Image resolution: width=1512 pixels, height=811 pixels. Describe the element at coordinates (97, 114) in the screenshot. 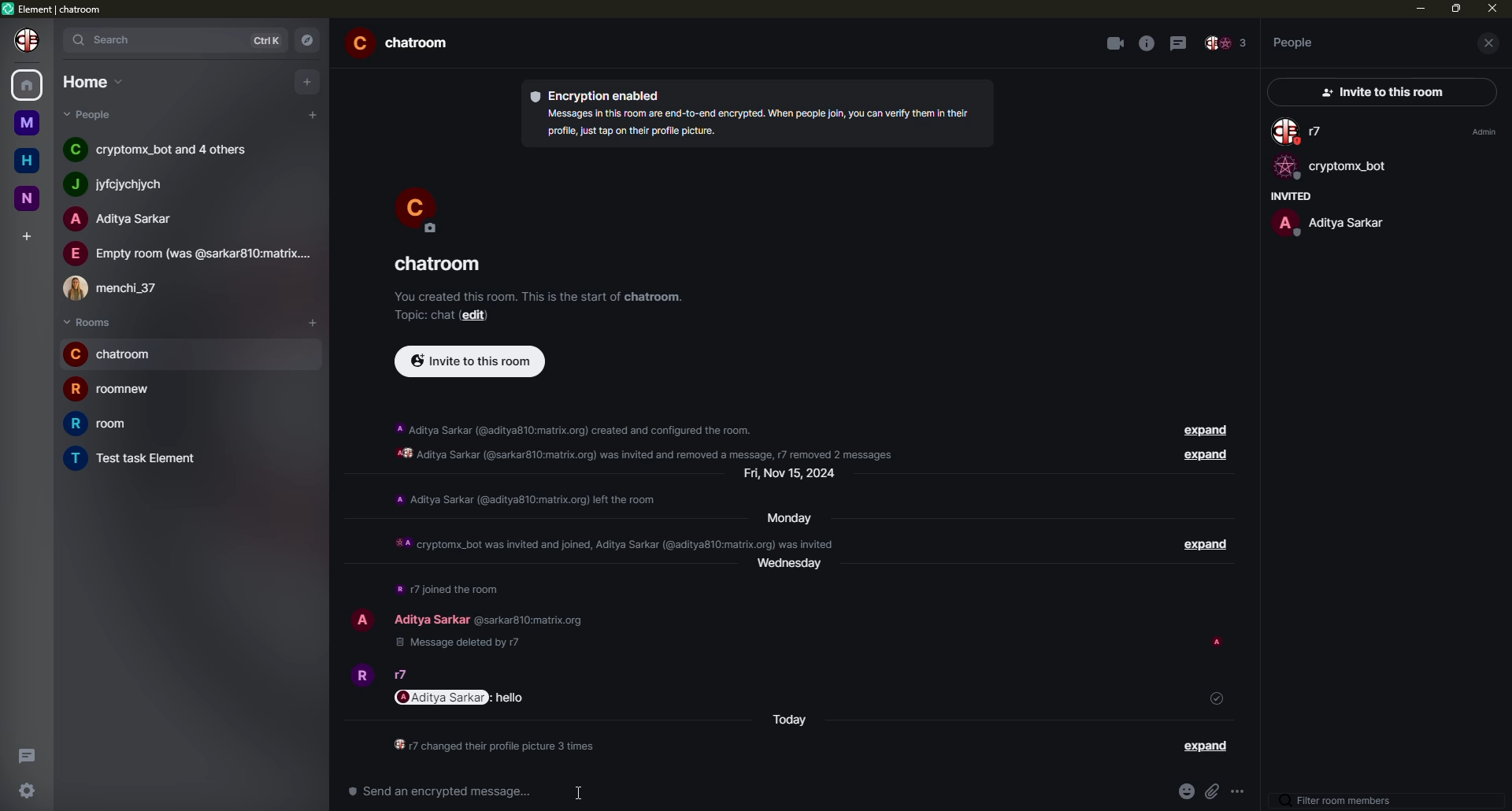

I see `people` at that location.